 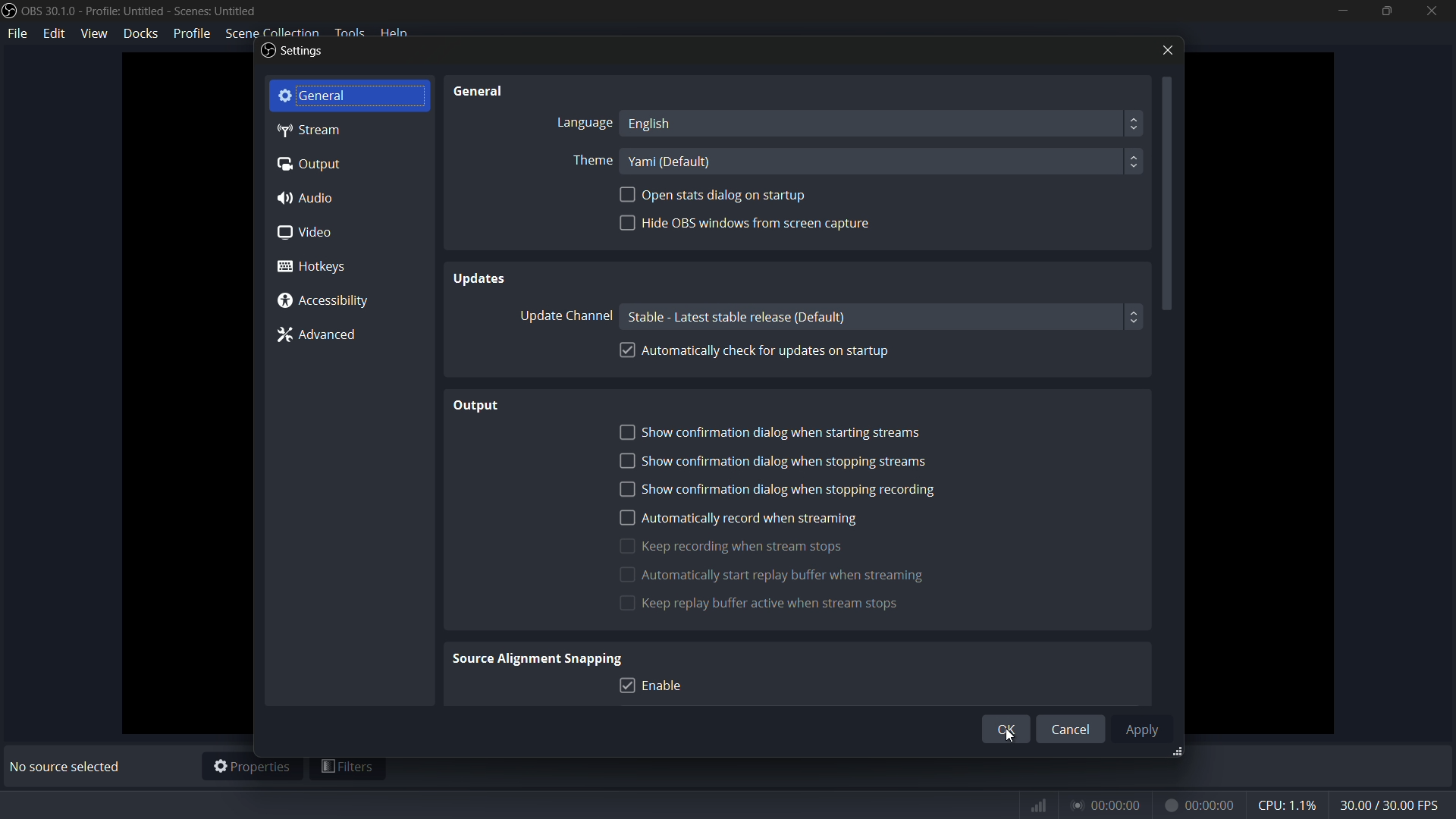 What do you see at coordinates (1392, 803) in the screenshot?
I see `fps indicator` at bounding box center [1392, 803].